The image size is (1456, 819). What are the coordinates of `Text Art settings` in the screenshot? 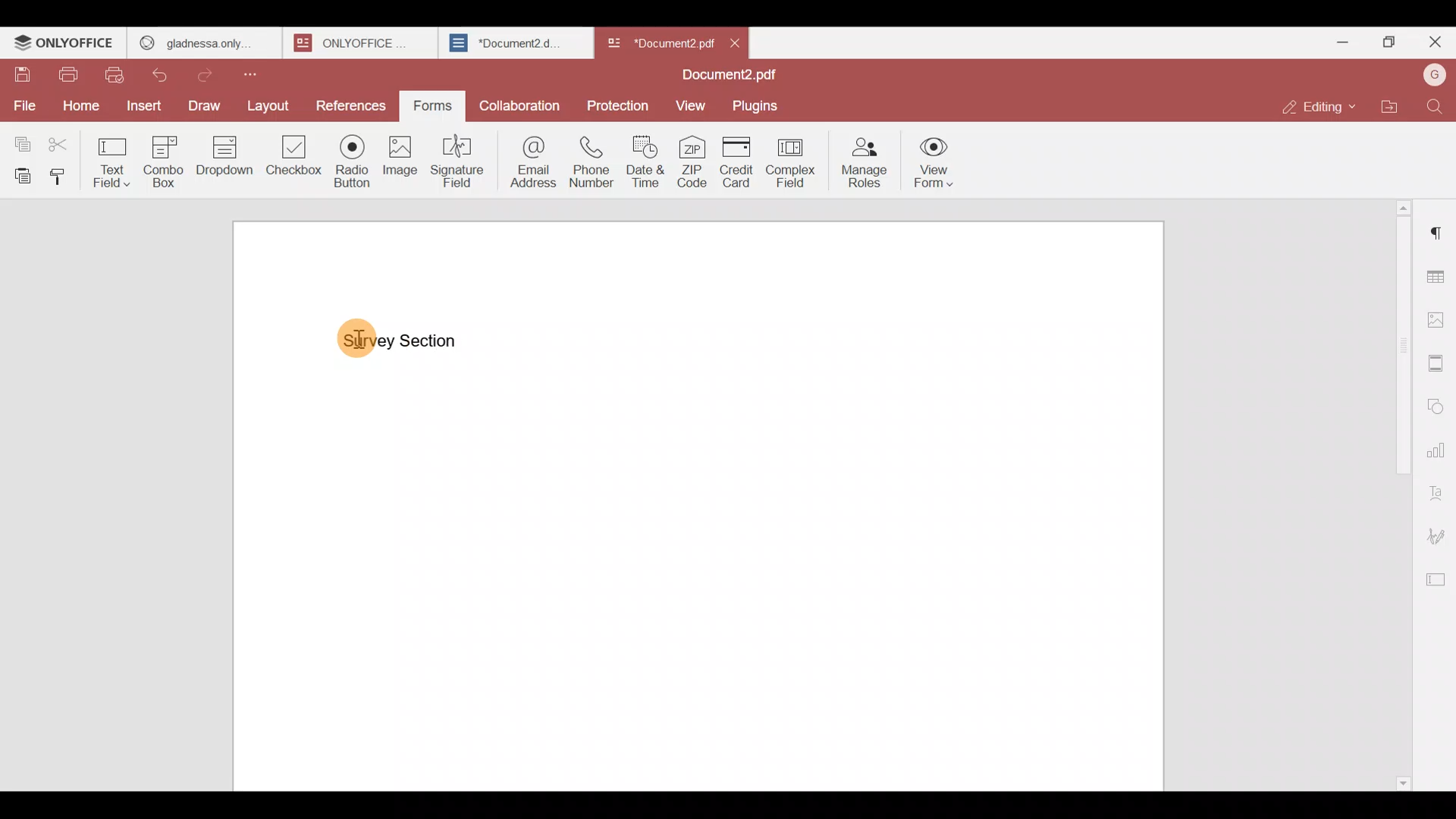 It's located at (1439, 491).